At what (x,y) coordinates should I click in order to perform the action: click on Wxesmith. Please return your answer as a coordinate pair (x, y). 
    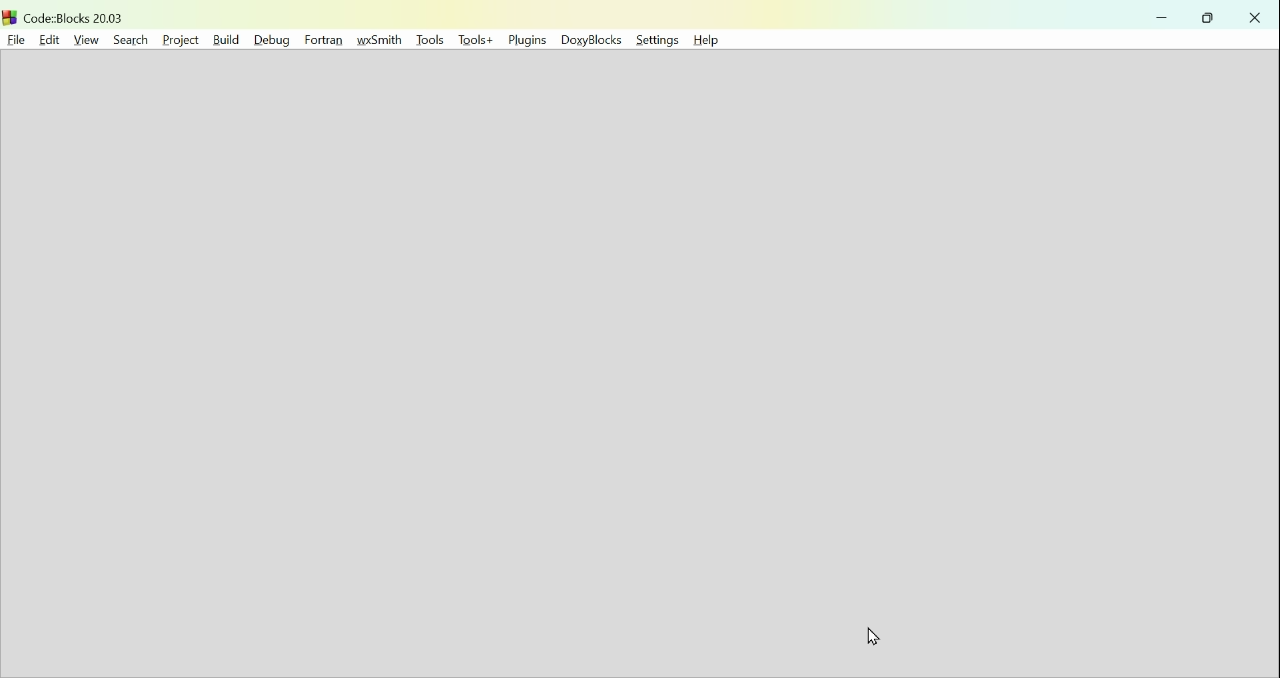
    Looking at the image, I should click on (382, 40).